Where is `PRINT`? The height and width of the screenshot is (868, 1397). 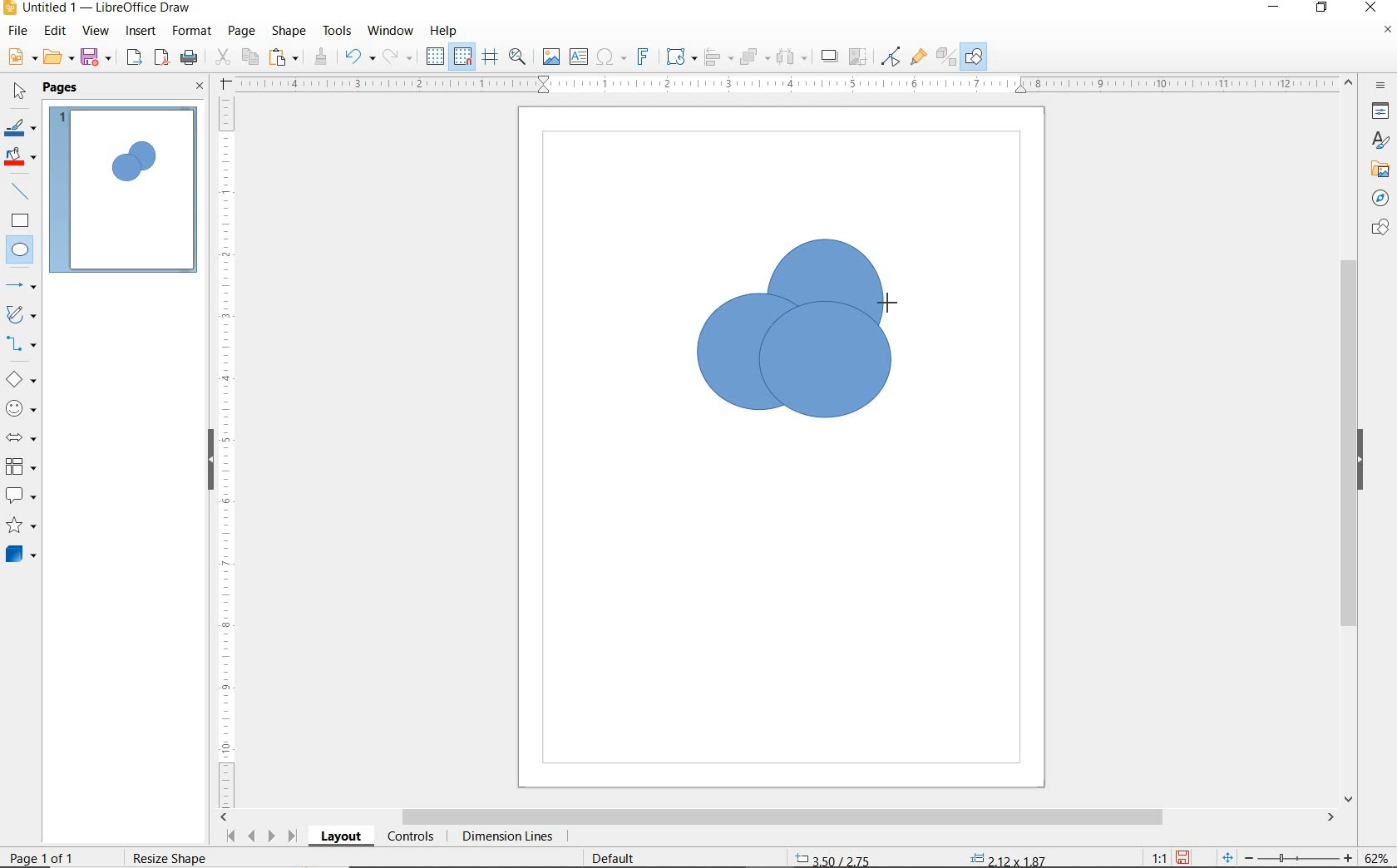
PRINT is located at coordinates (190, 57).